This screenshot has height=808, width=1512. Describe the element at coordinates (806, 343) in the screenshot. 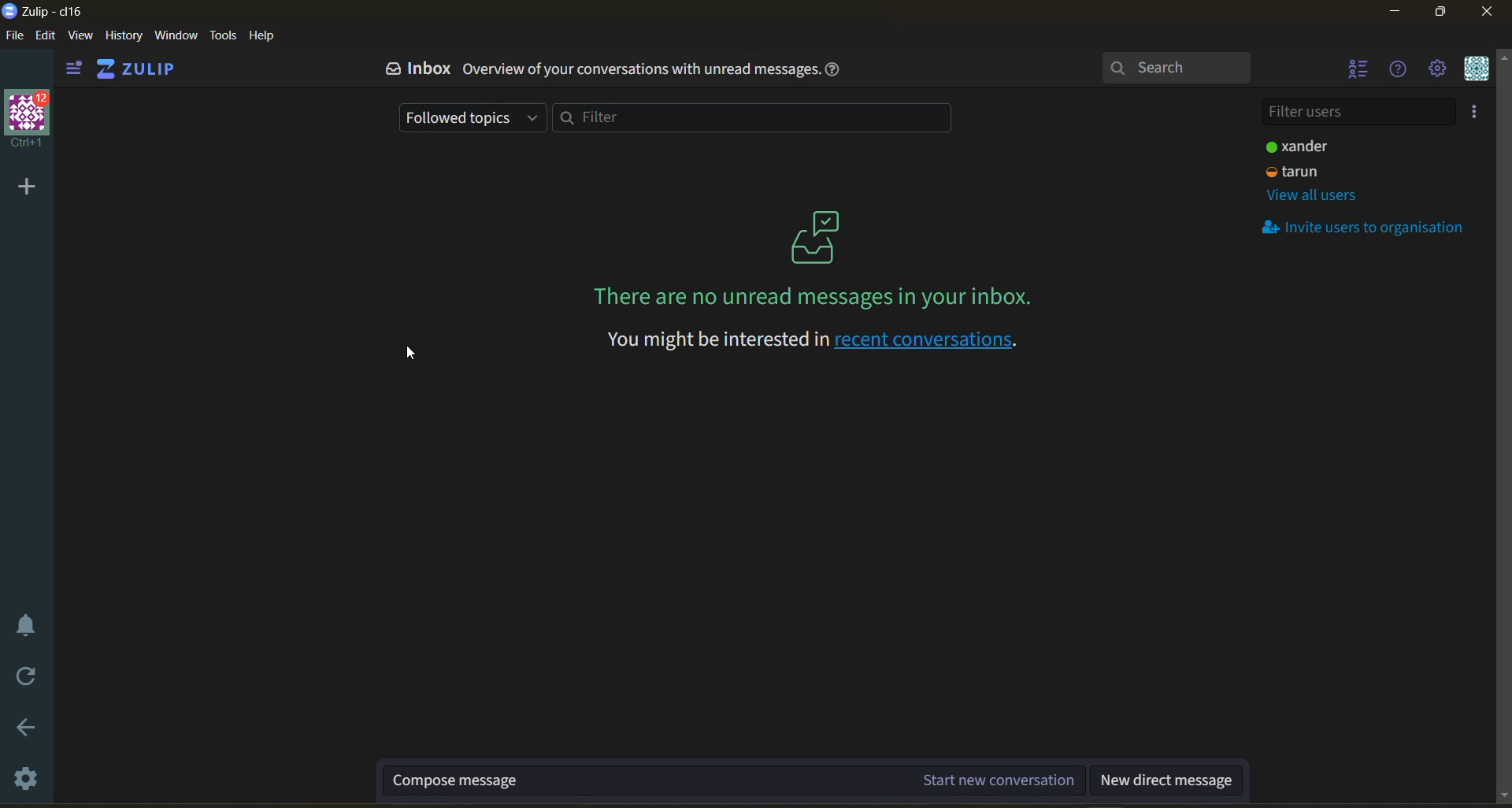

I see `recent conversations` at that location.